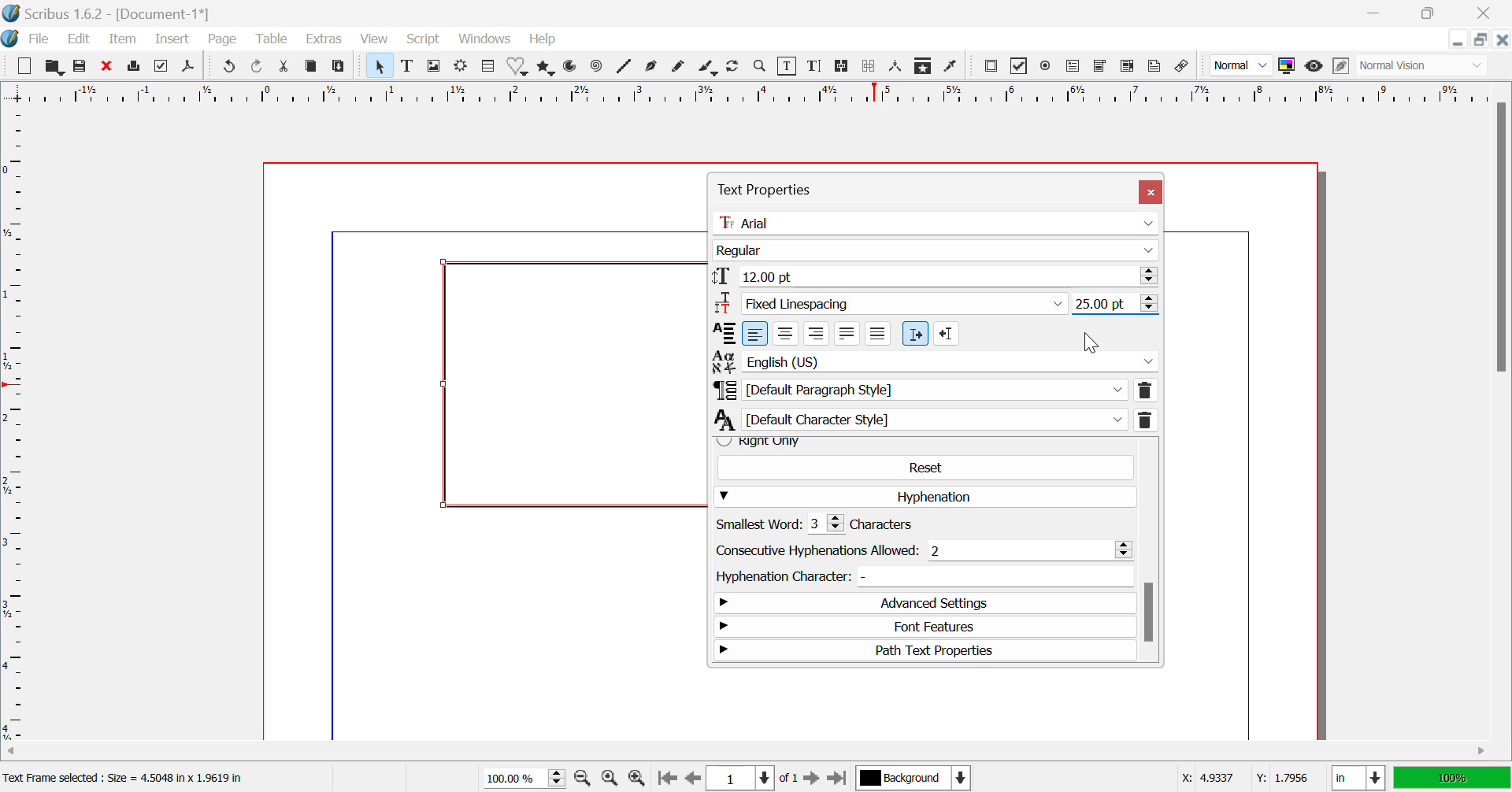 The image size is (1512, 792). I want to click on Right align, so click(816, 333).